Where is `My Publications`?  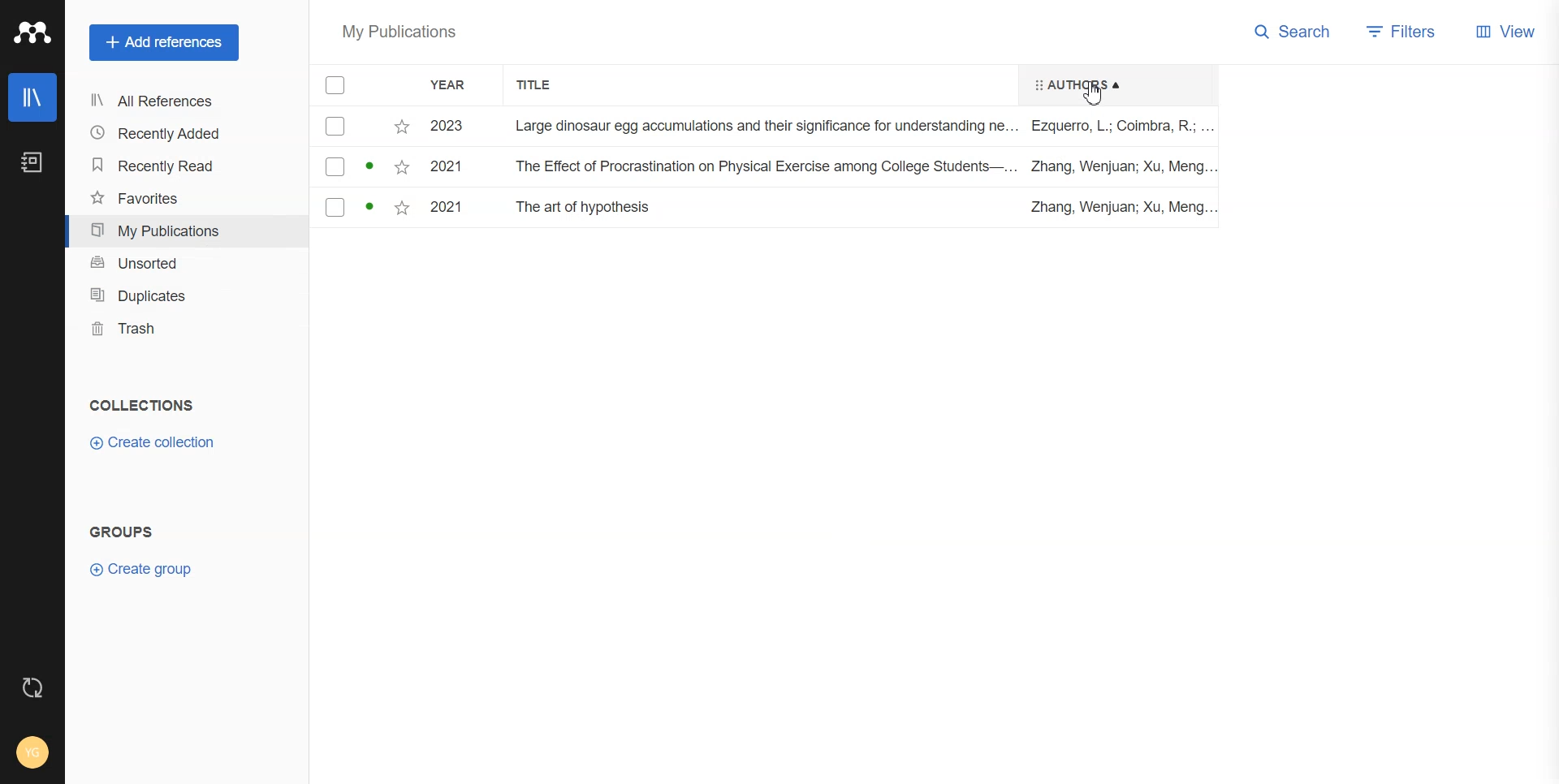
My Publications is located at coordinates (399, 34).